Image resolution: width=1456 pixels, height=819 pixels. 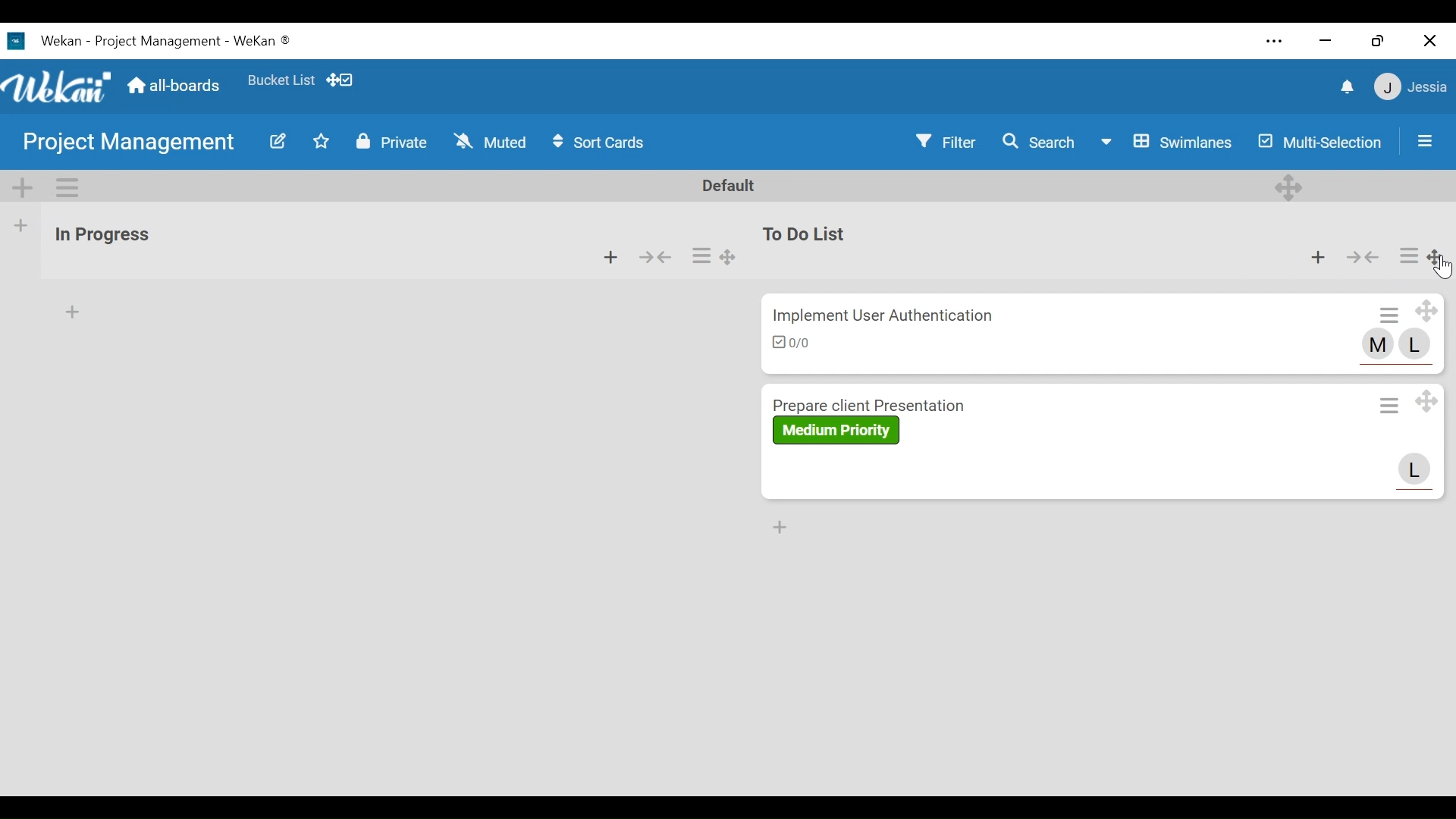 I want to click on Filter, so click(x=945, y=141).